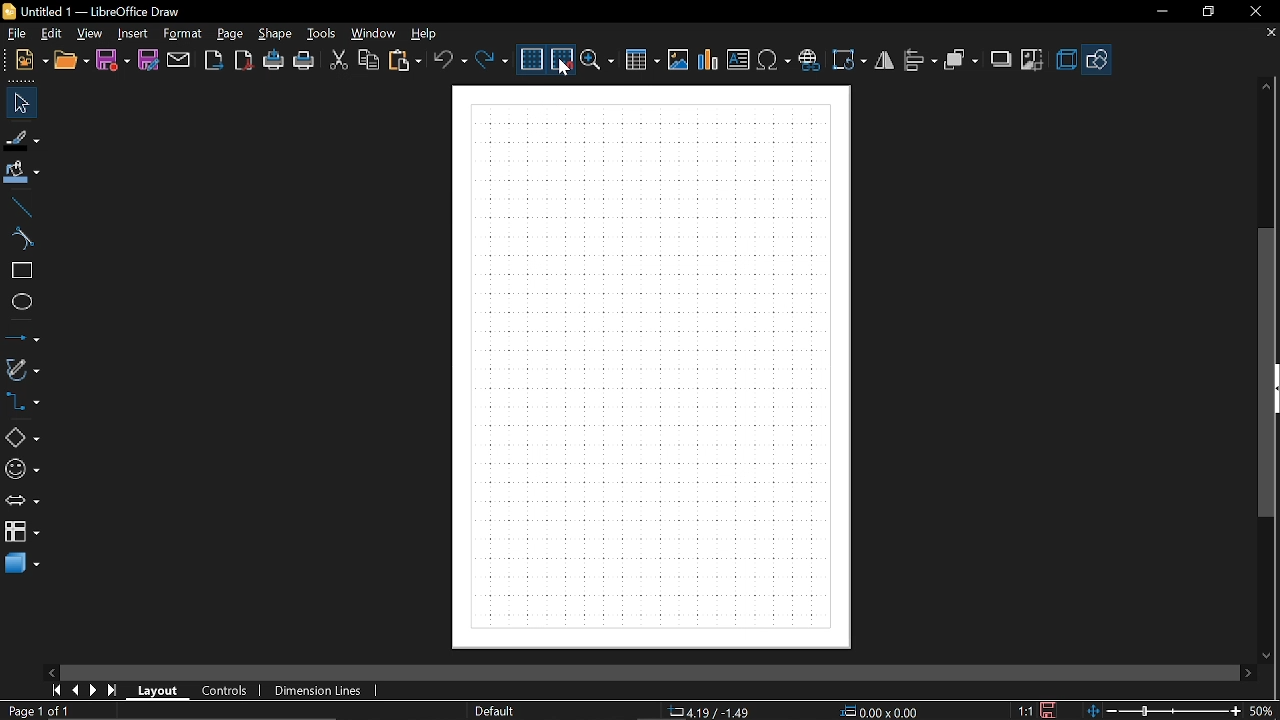 This screenshot has height=720, width=1280. I want to click on rectangle, so click(21, 271).